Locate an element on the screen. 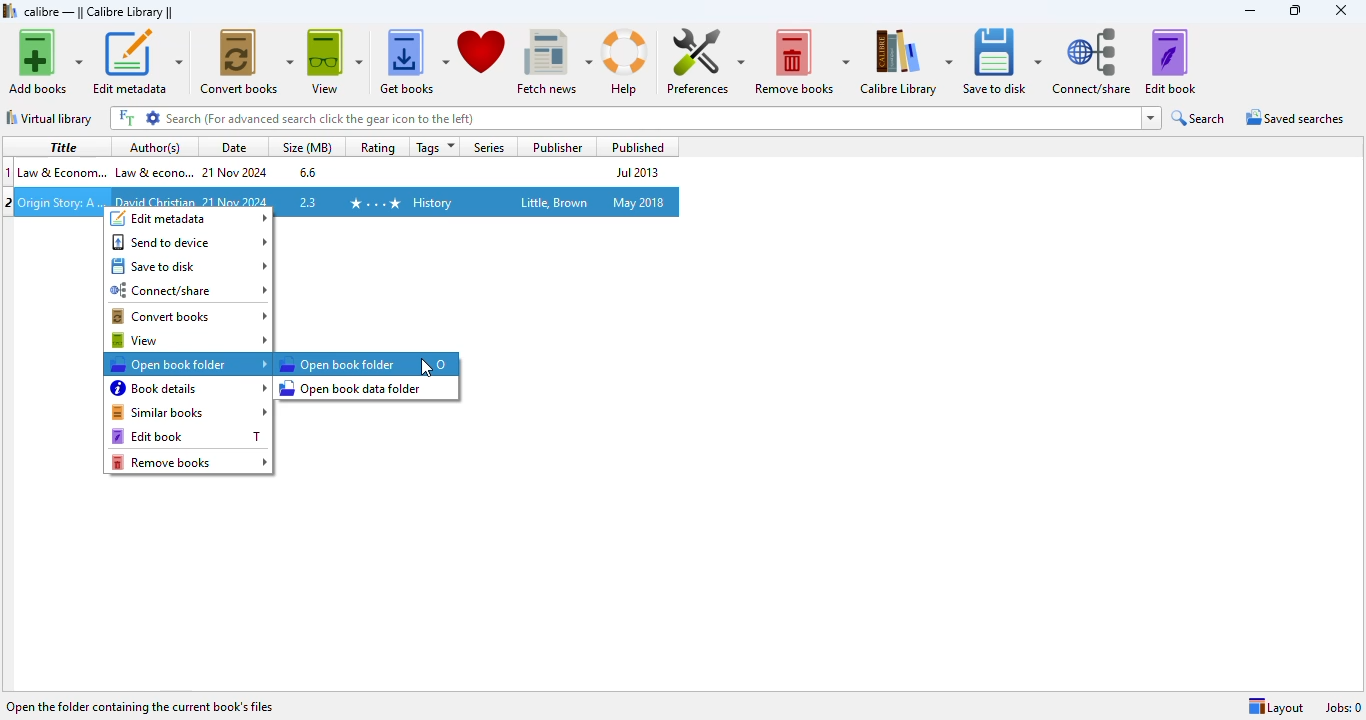 This screenshot has height=720, width=1366. jul 2013 is located at coordinates (634, 172).